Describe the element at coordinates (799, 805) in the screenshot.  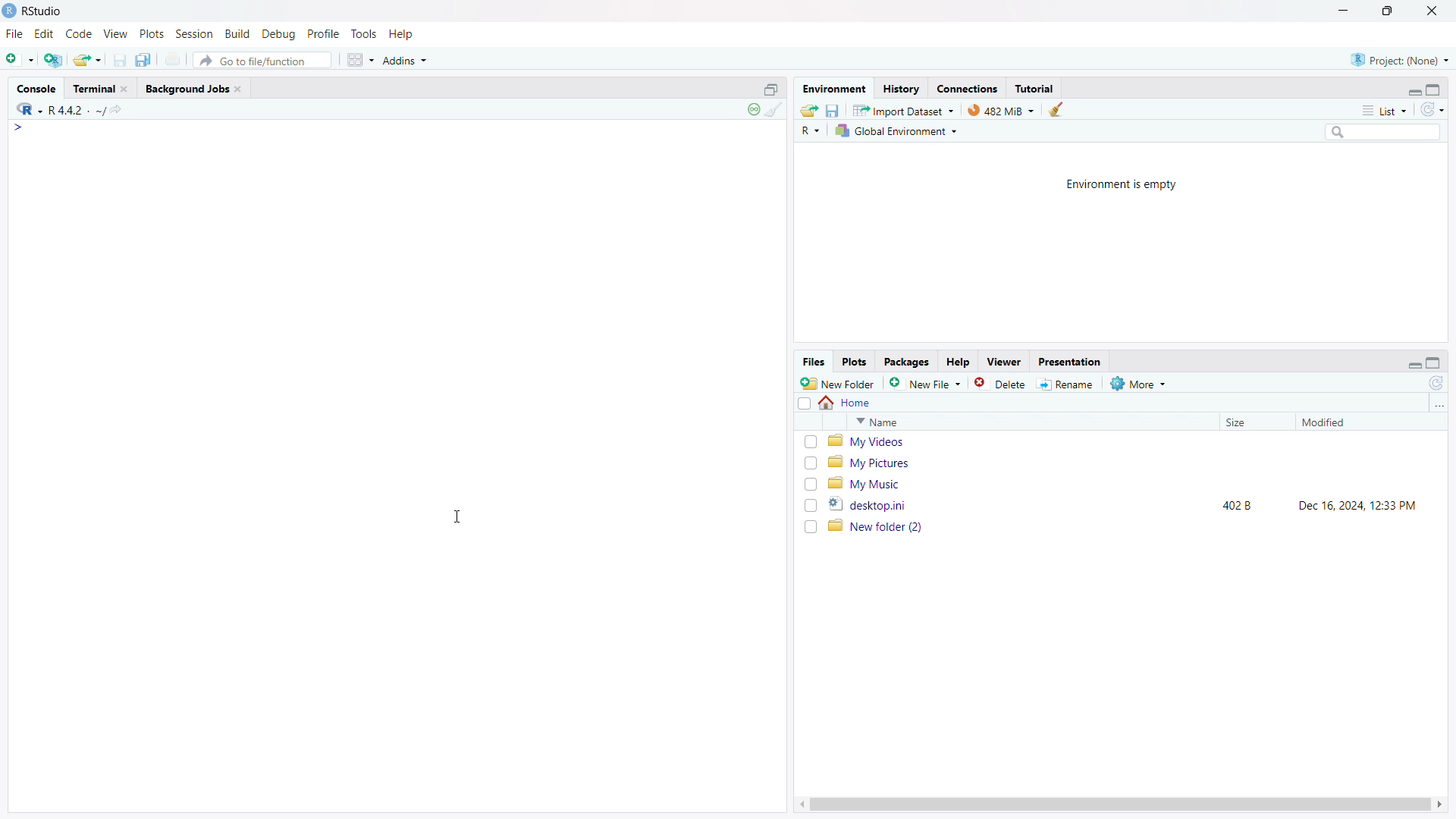
I see `scroll left` at that location.